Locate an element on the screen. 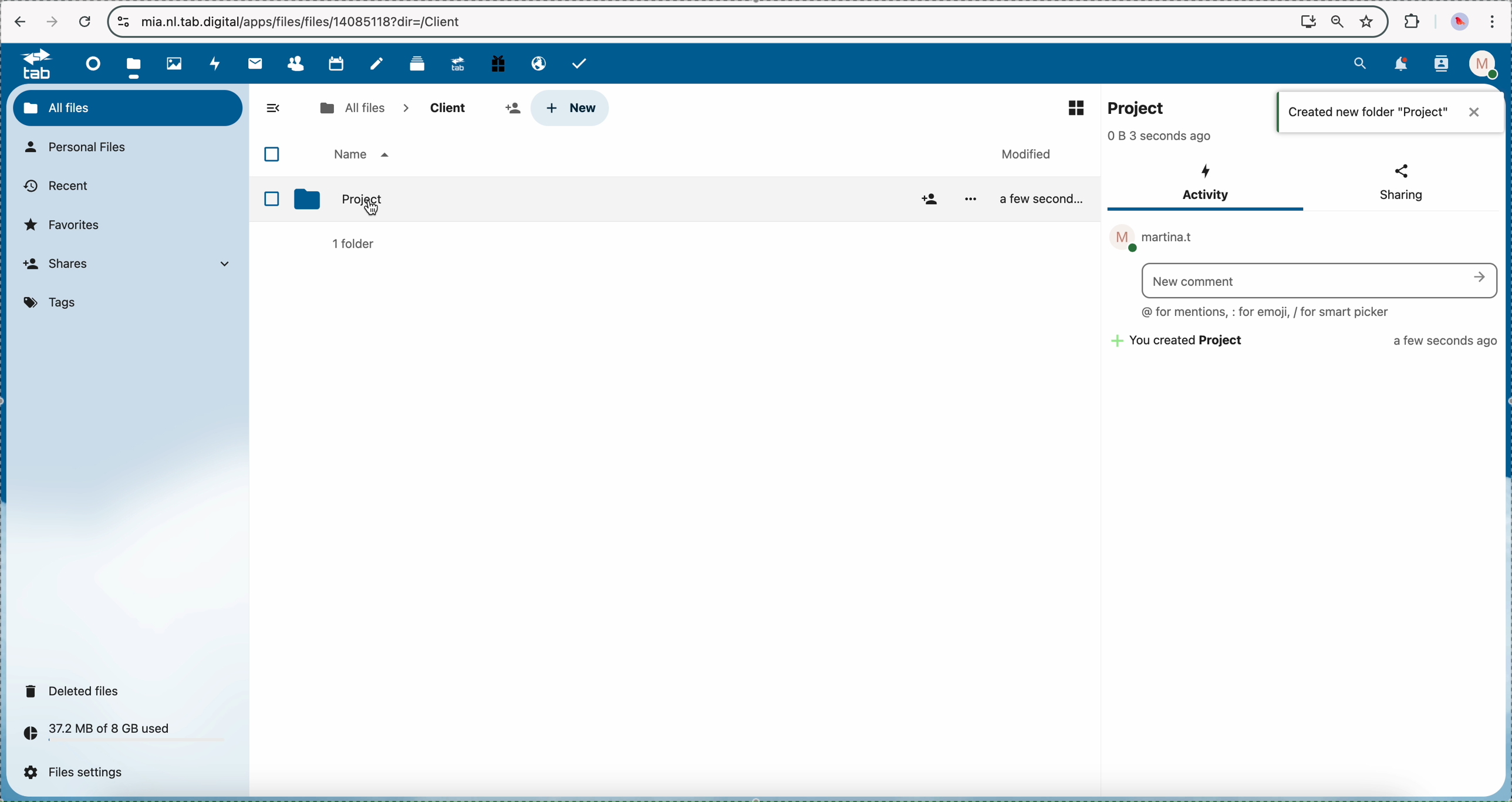 The image size is (1512, 802). a few second.. is located at coordinates (1035, 198).